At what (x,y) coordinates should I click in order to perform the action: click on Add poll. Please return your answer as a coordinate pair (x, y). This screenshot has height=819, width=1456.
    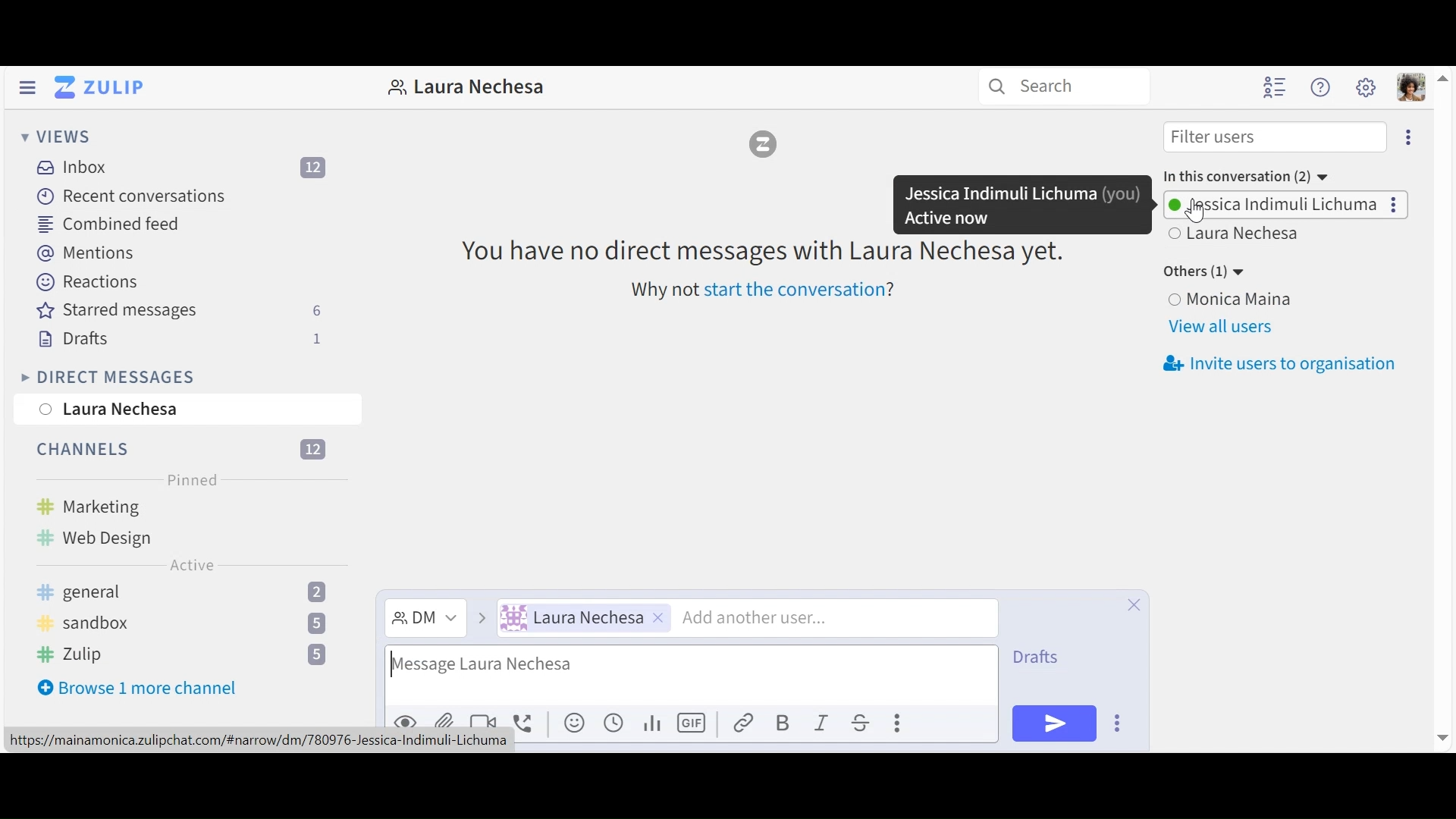
    Looking at the image, I should click on (654, 725).